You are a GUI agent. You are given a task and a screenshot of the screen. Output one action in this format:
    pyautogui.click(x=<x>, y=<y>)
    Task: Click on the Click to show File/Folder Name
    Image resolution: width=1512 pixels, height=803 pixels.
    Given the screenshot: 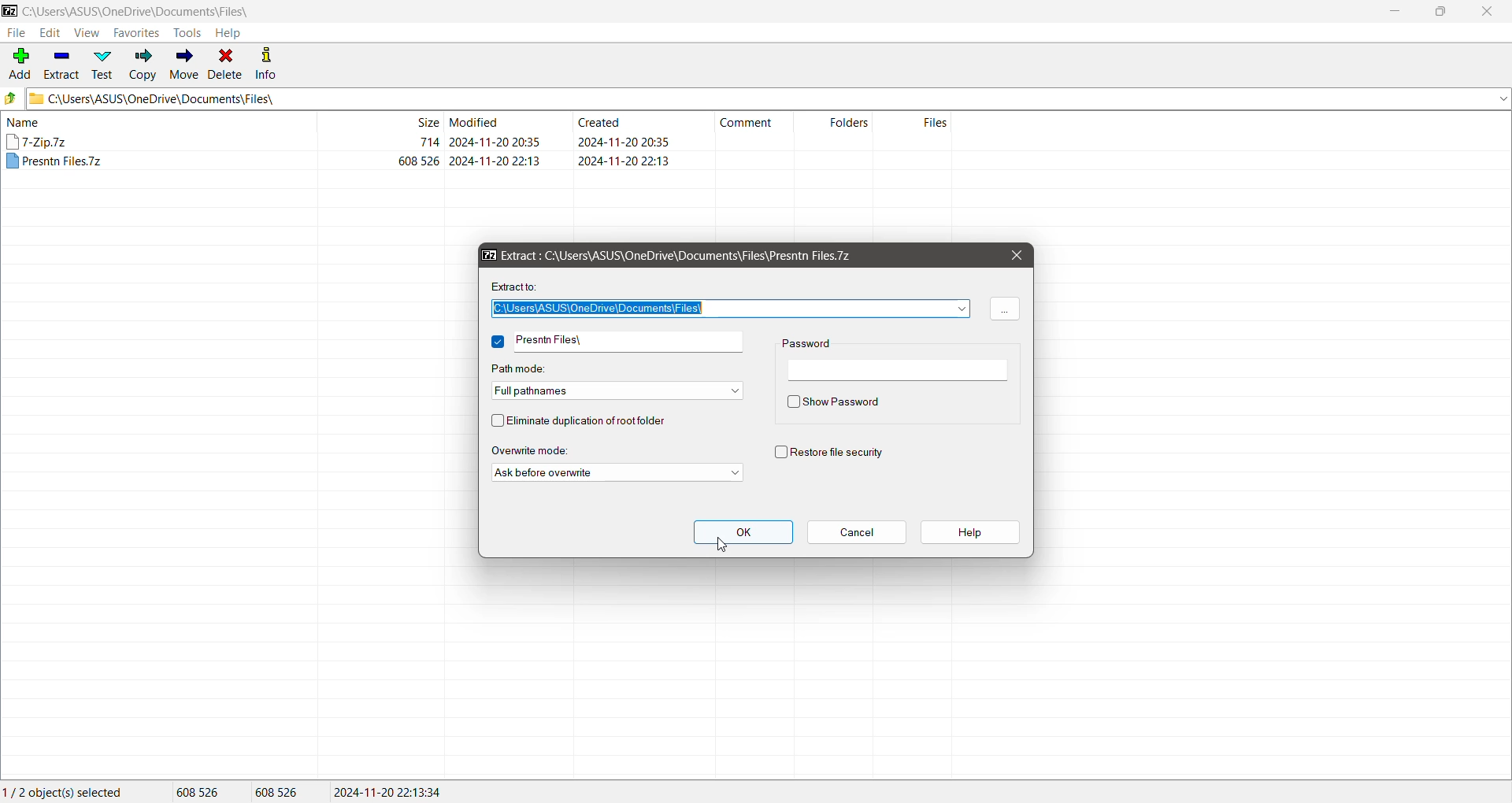 What is the action you would take?
    pyautogui.click(x=498, y=342)
    